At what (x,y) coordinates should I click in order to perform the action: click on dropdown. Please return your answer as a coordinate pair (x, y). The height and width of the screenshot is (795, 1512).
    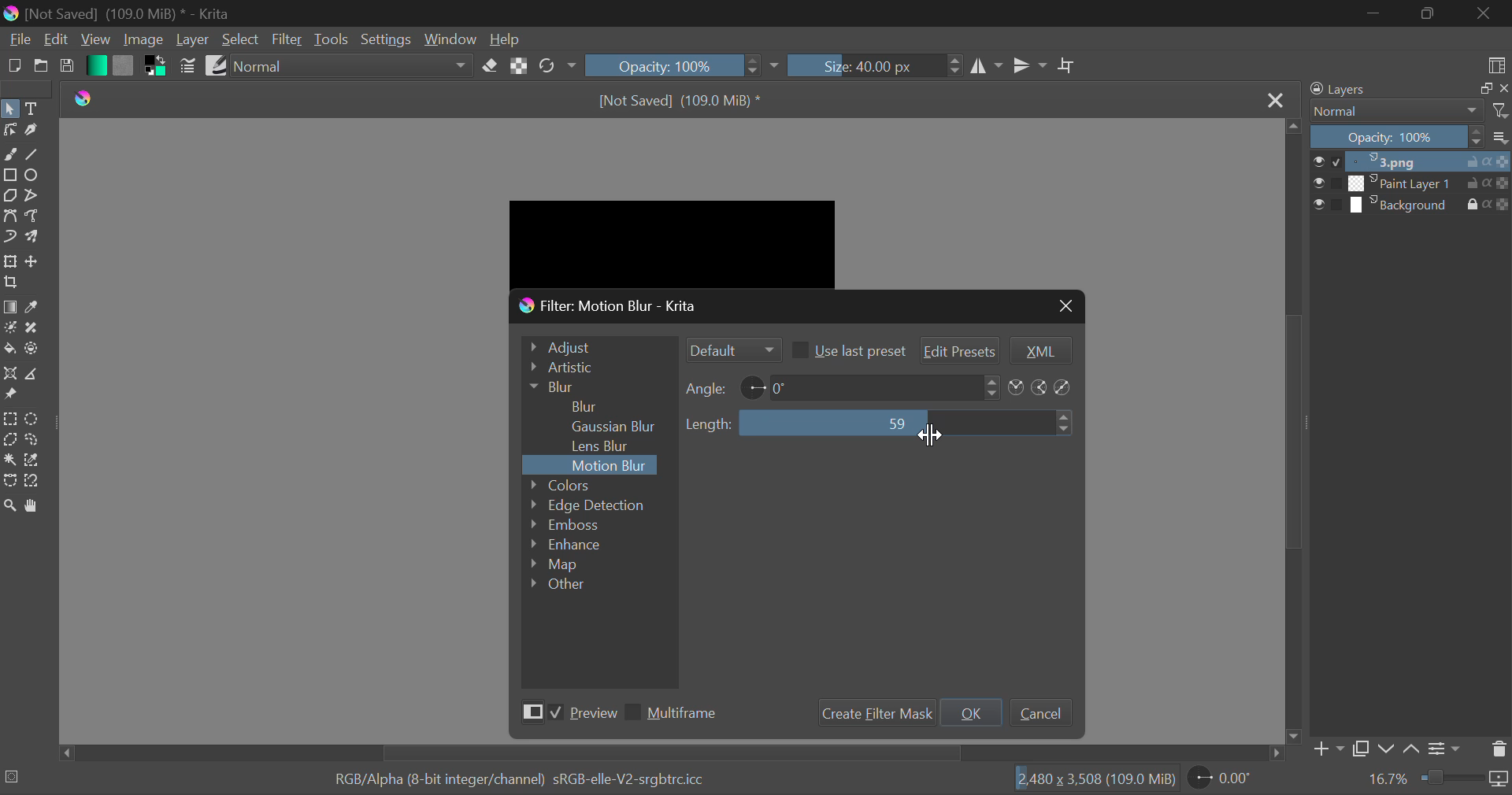
    Looking at the image, I should click on (778, 66).